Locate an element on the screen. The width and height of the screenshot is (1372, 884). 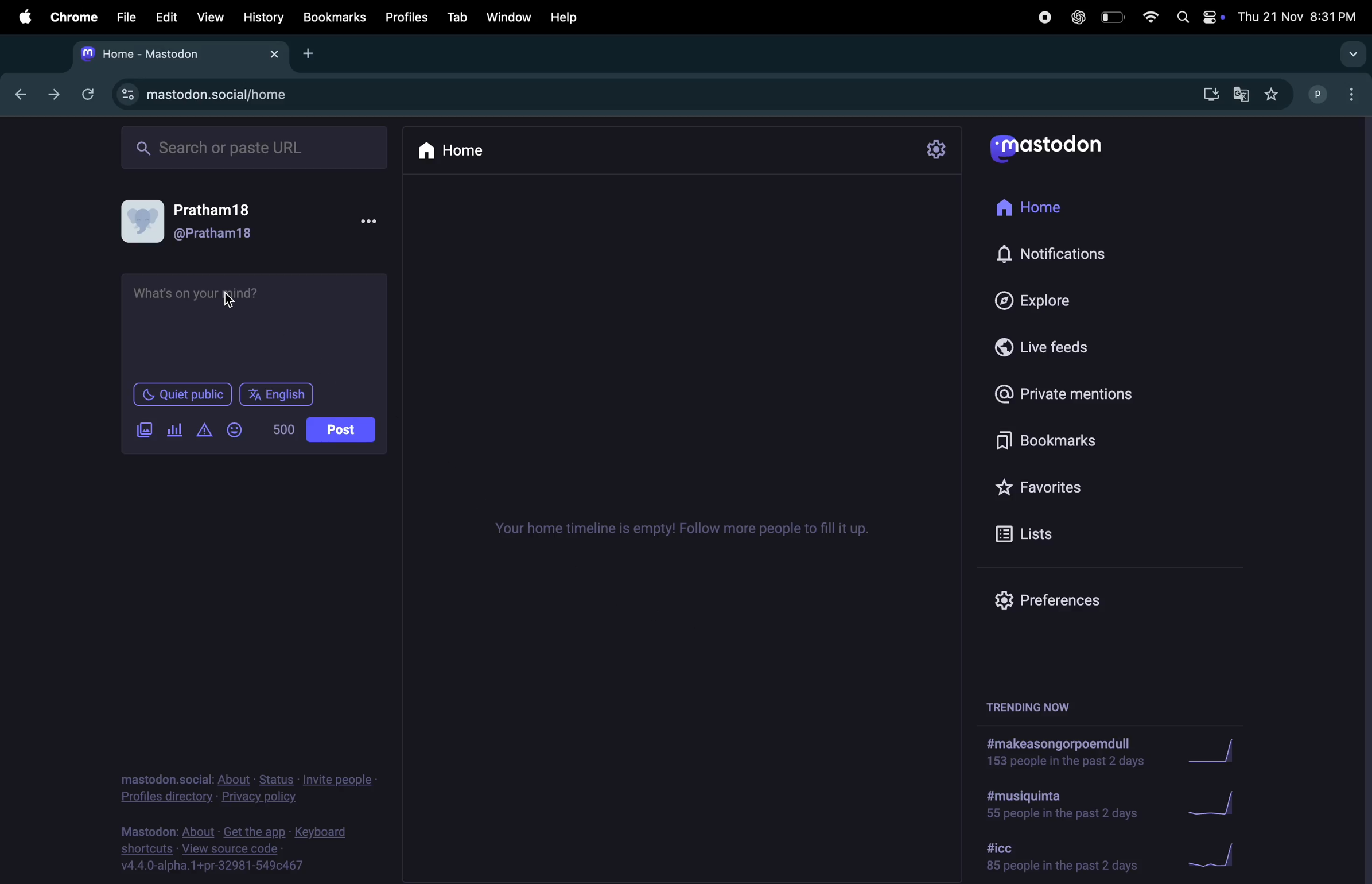
favourites is located at coordinates (1057, 485).